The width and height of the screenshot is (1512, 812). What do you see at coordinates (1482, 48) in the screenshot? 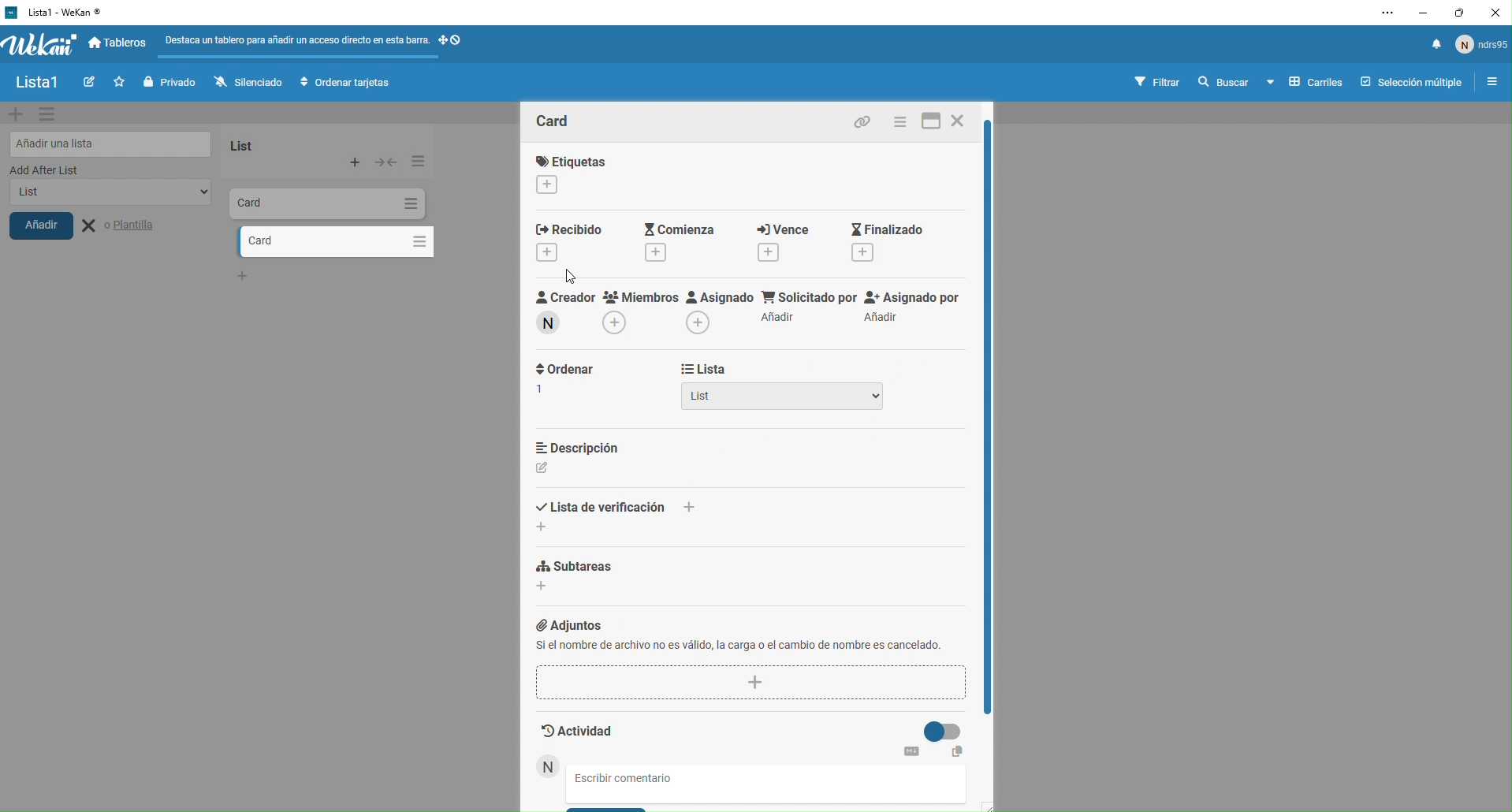
I see `usuario` at bounding box center [1482, 48].